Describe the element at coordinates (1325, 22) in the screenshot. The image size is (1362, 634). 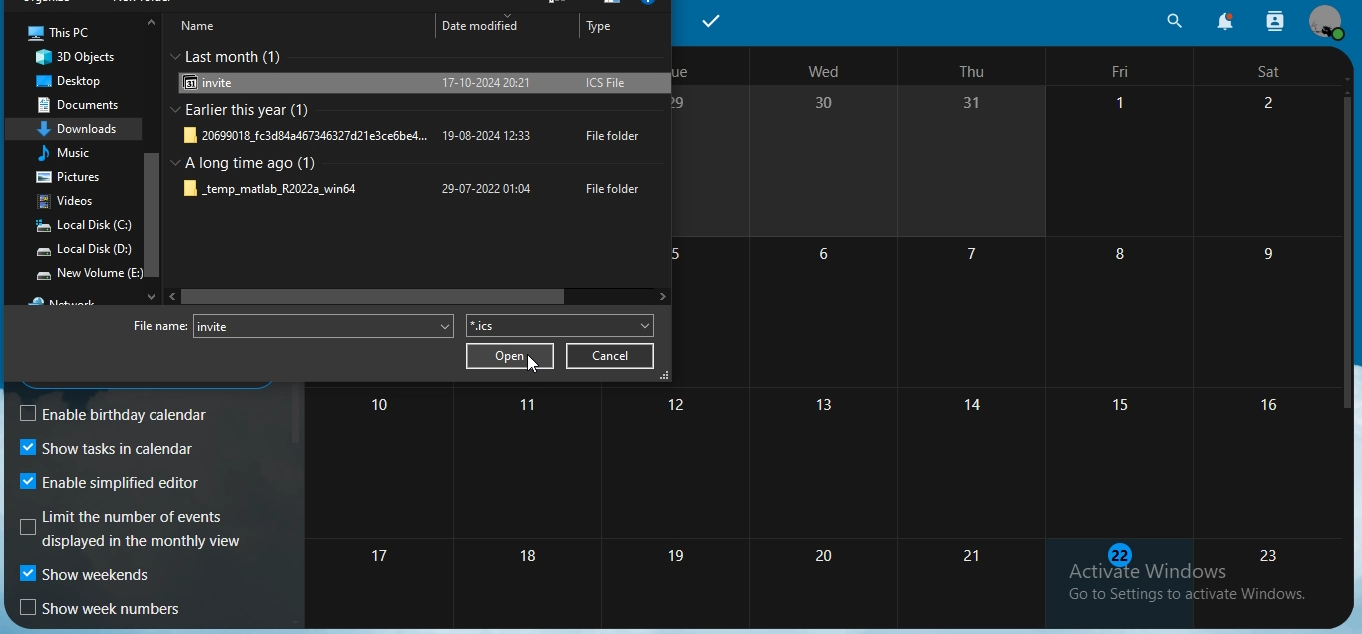
I see `view profile` at that location.